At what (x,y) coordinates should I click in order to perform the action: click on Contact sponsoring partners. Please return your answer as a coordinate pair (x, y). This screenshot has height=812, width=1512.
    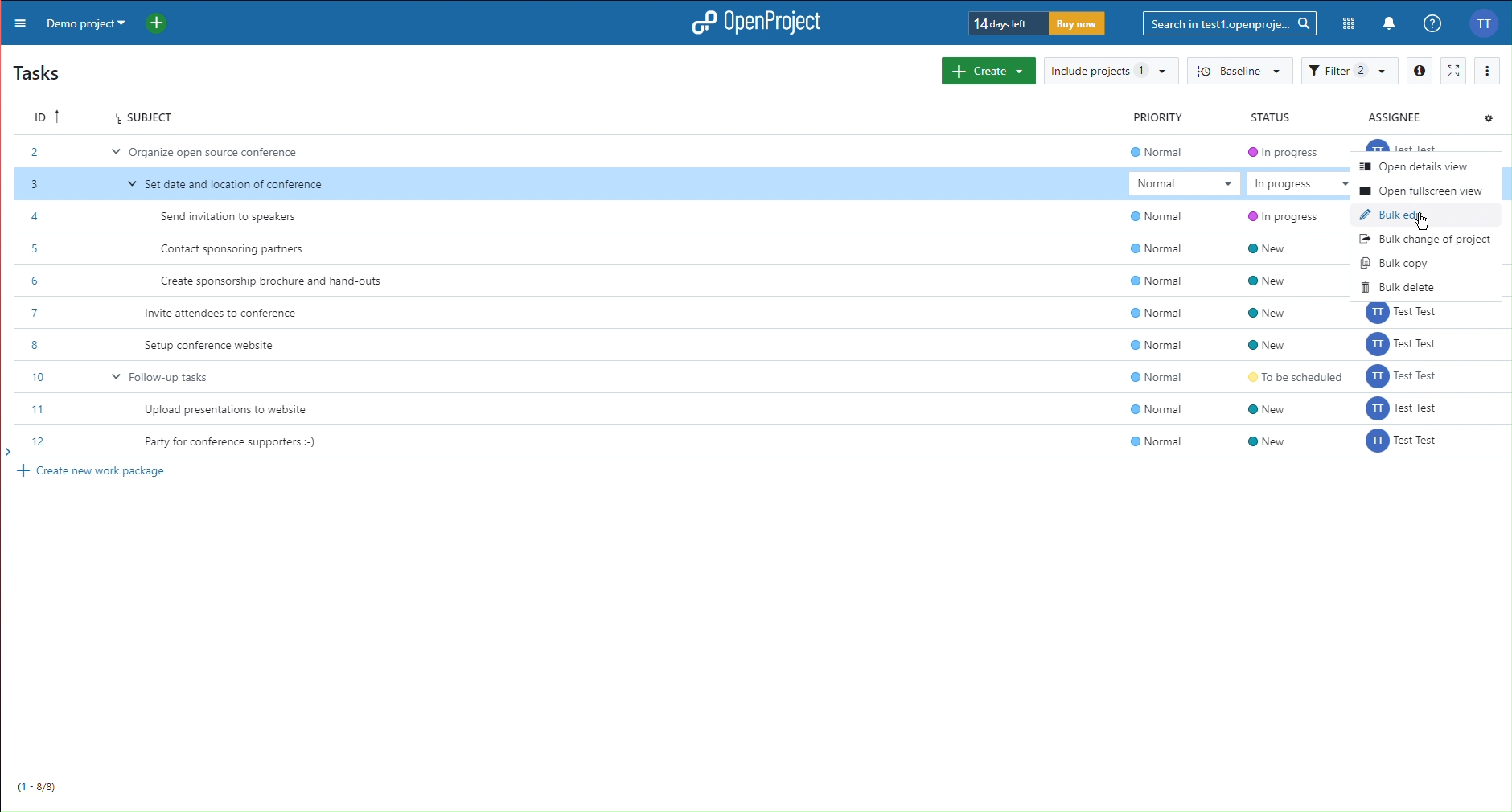
    Looking at the image, I should click on (234, 249).